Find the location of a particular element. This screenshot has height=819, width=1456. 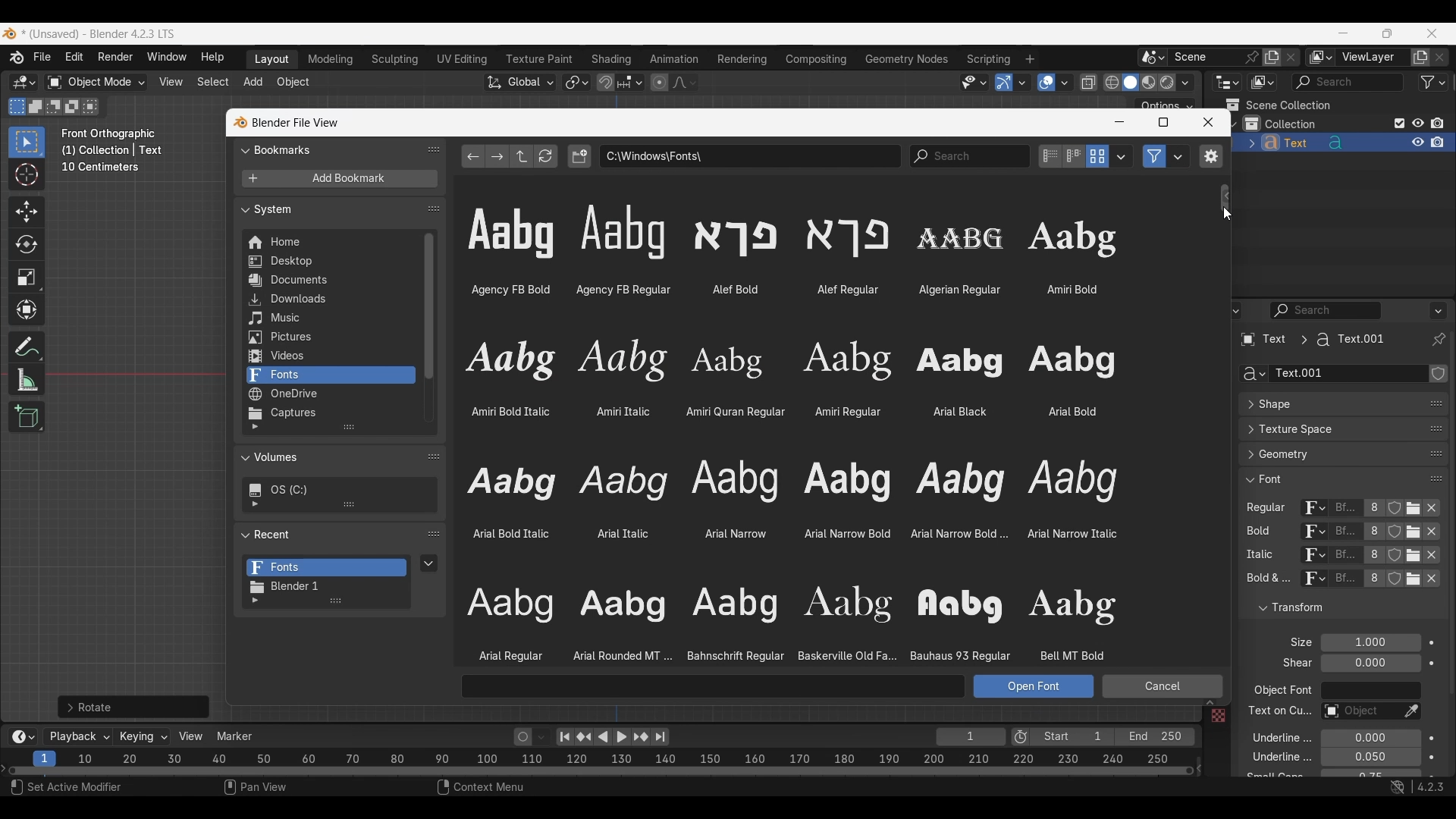

Rotate is located at coordinates (27, 244).